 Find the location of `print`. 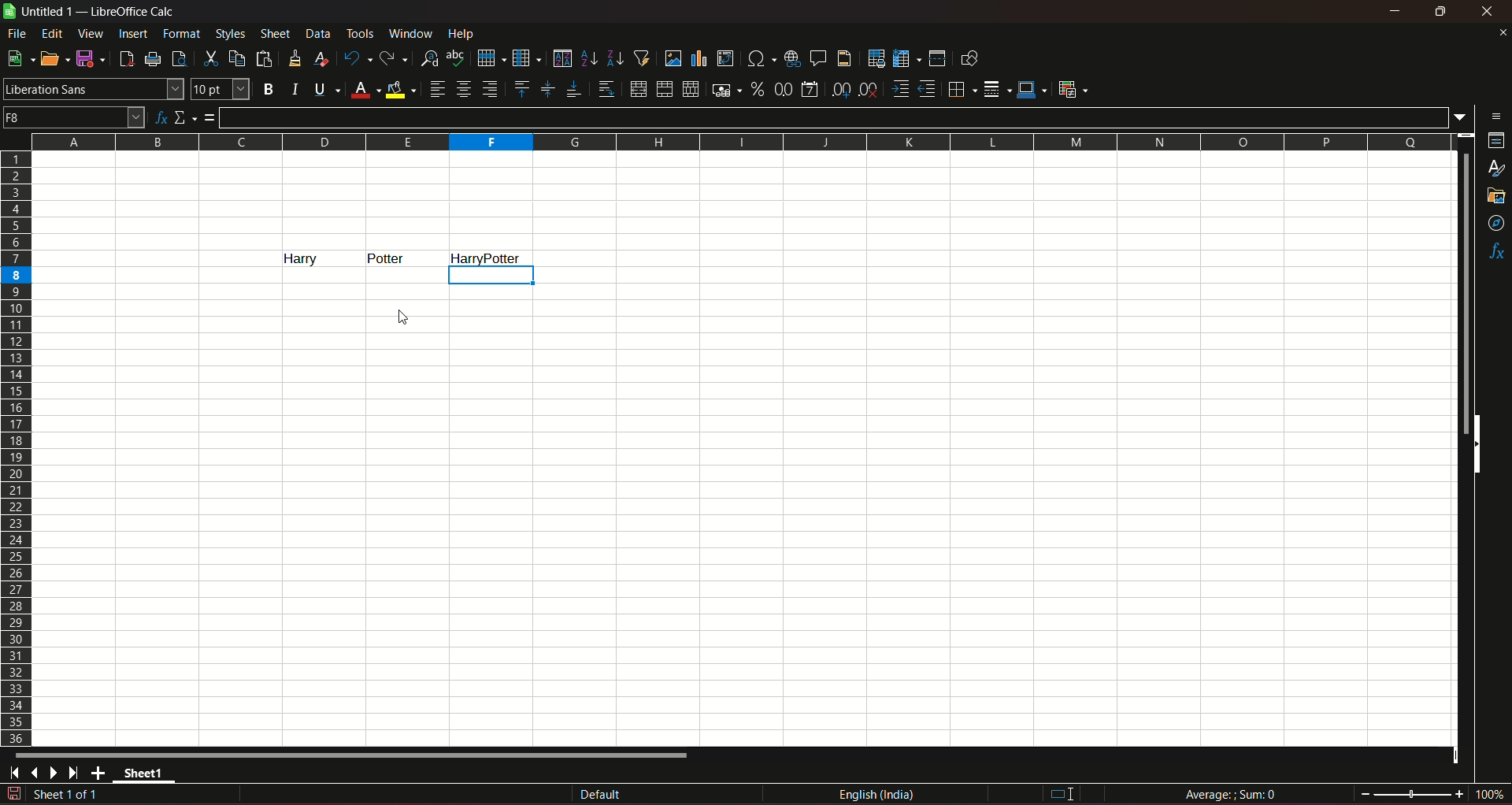

print is located at coordinates (154, 61).